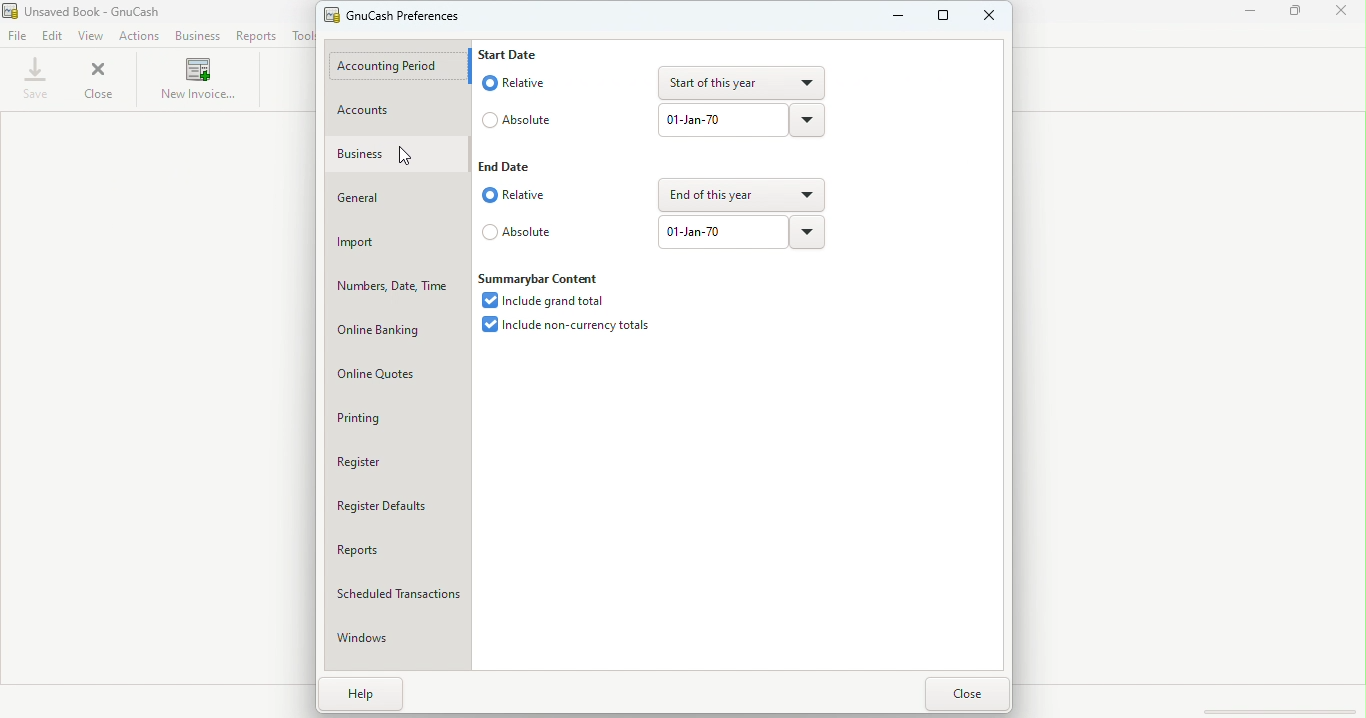  I want to click on Business, so click(196, 37).